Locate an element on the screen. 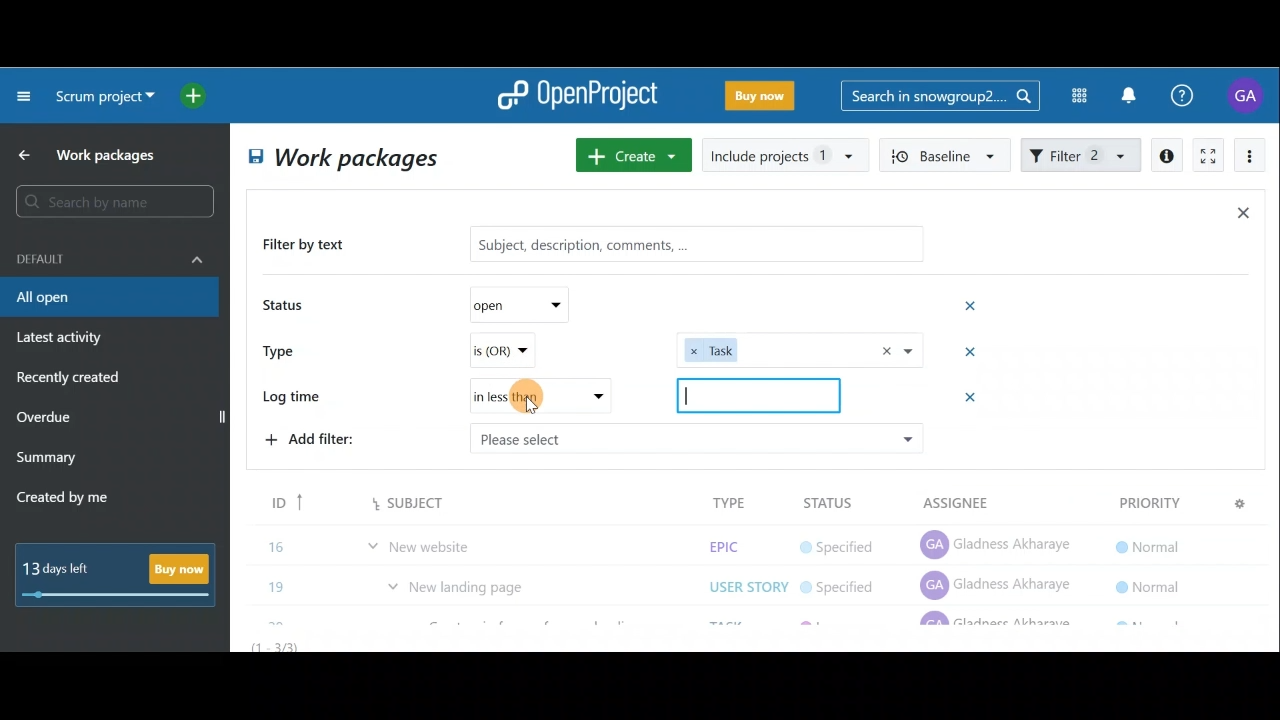 This screenshot has height=720, width=1280. Activate zen mode is located at coordinates (1206, 157).